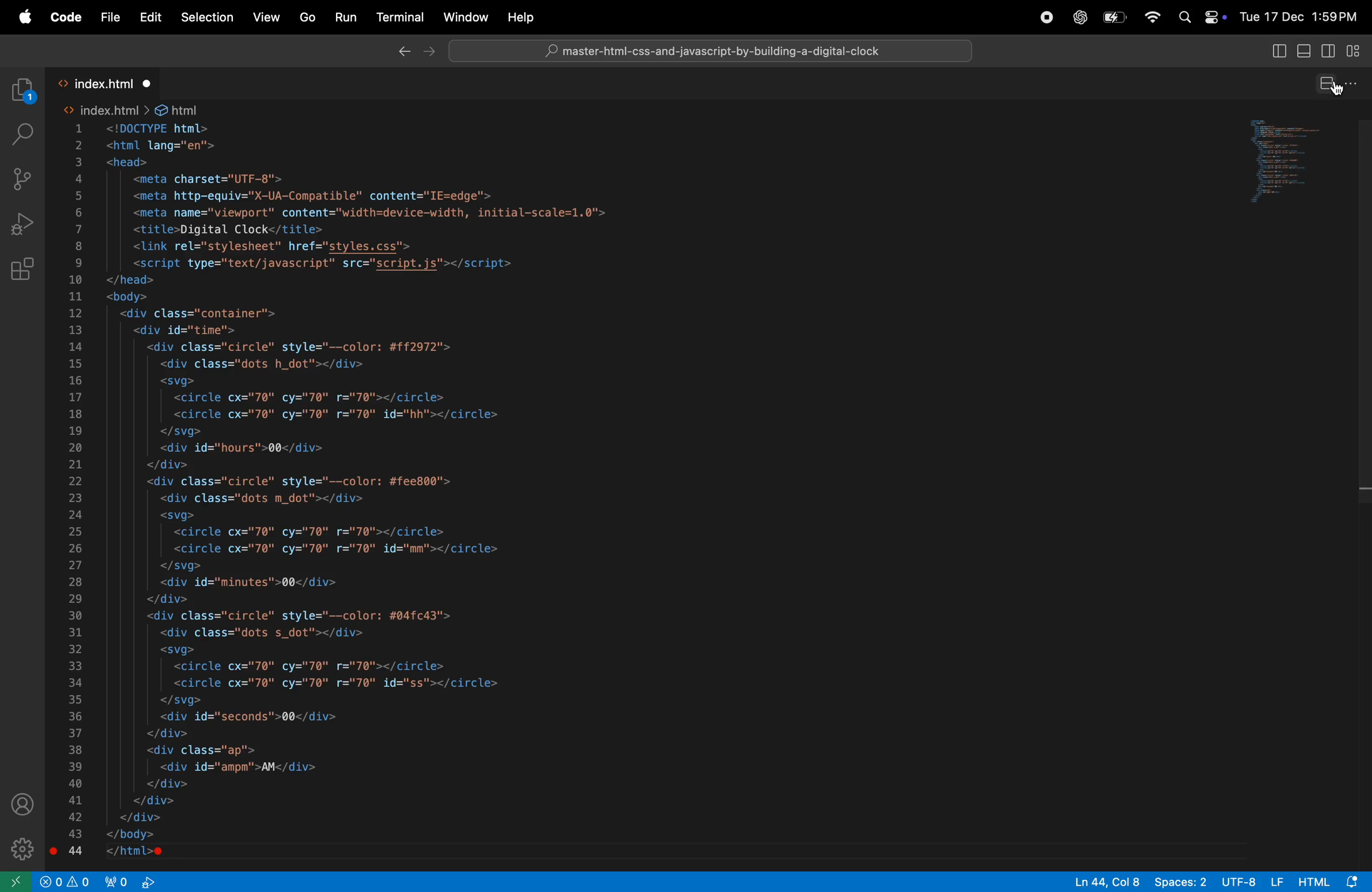  I want to click on edit, so click(149, 17).